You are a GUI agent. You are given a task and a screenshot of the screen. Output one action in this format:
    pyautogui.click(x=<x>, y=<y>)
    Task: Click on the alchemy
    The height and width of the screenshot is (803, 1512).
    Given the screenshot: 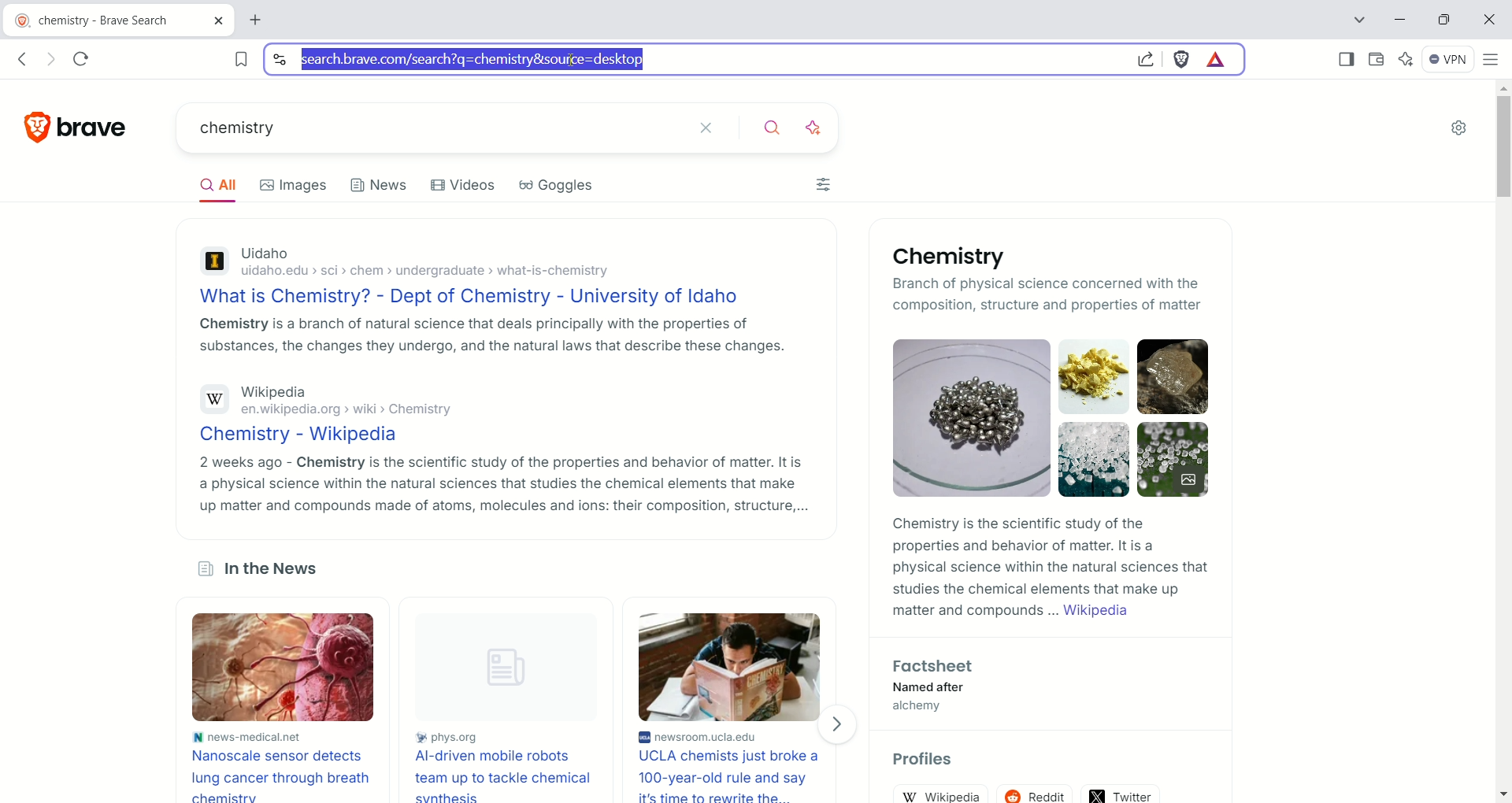 What is the action you would take?
    pyautogui.click(x=930, y=707)
    